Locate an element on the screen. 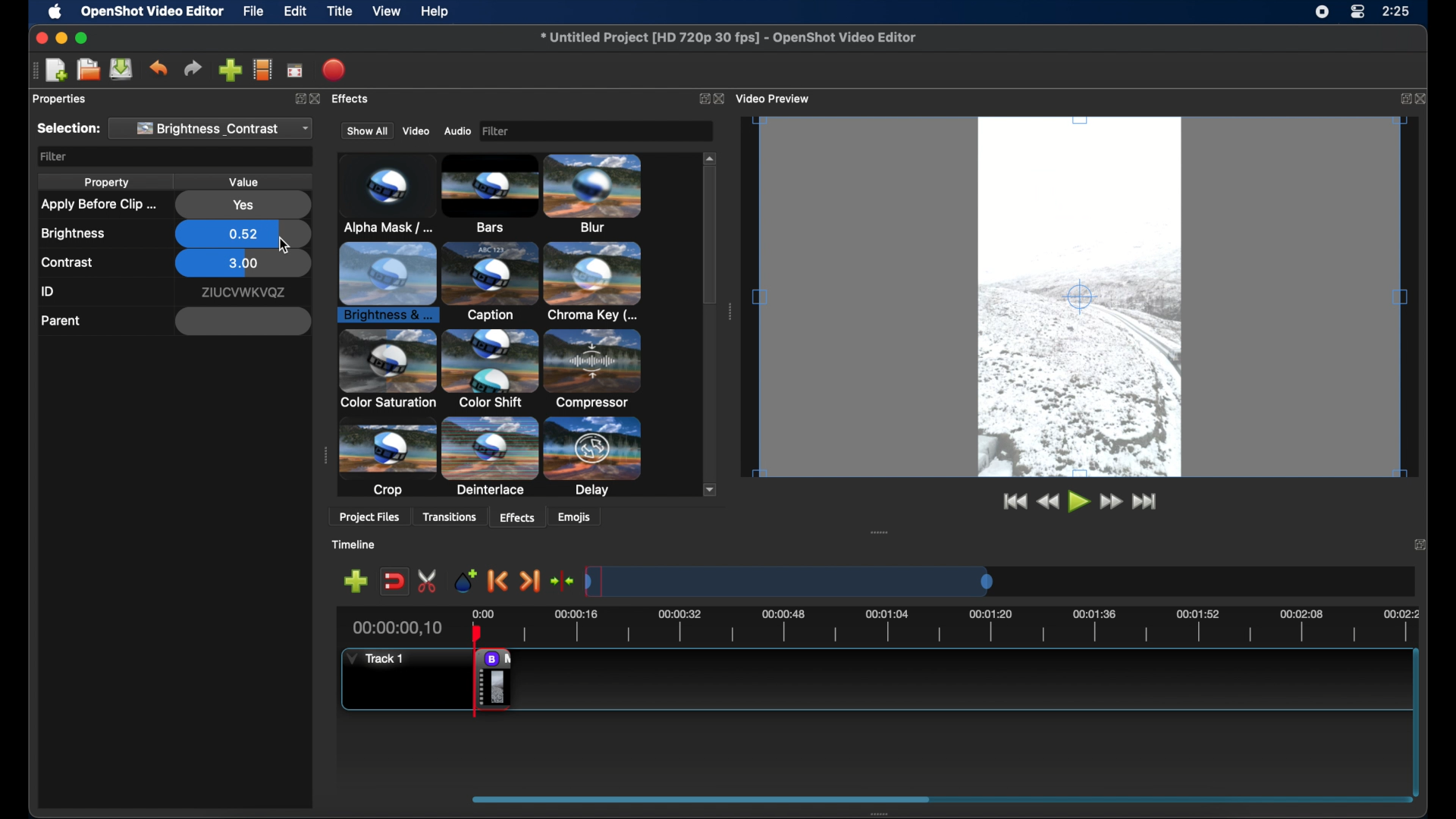  video preview is located at coordinates (1085, 304).